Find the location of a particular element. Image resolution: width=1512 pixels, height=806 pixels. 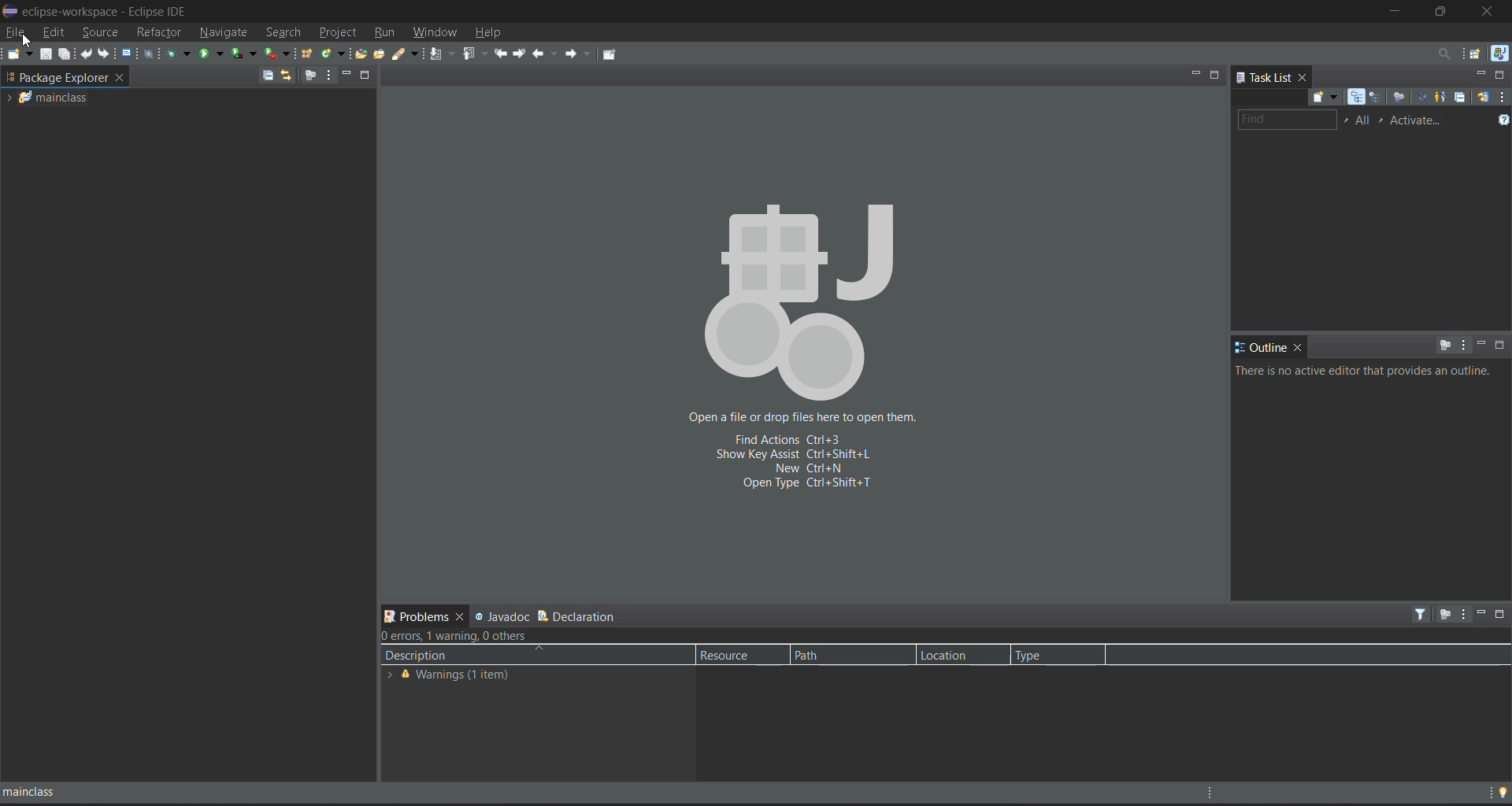

filters is located at coordinates (1422, 614).